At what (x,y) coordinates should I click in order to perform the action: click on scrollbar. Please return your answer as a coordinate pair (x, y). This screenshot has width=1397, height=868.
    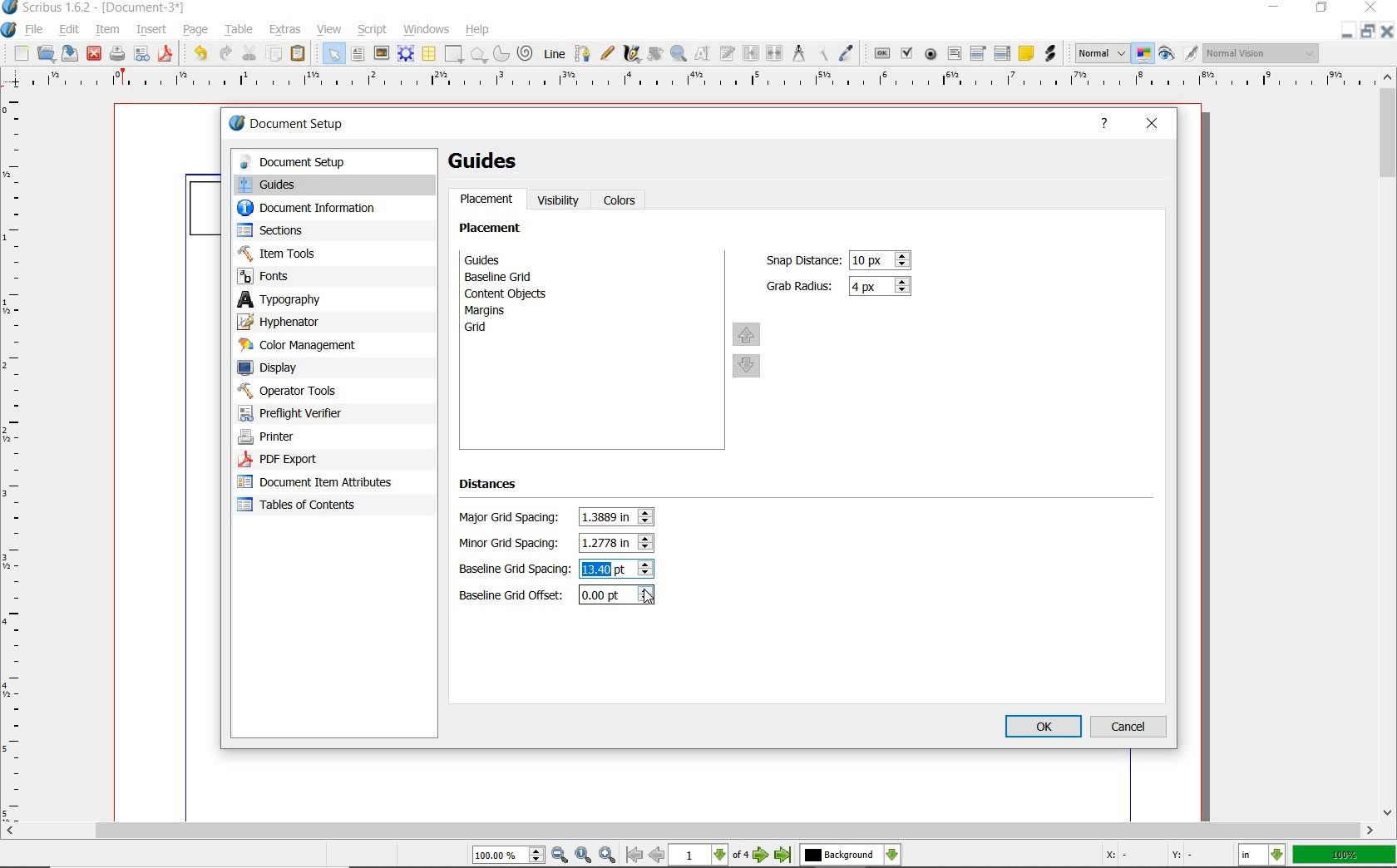
    Looking at the image, I should click on (1389, 444).